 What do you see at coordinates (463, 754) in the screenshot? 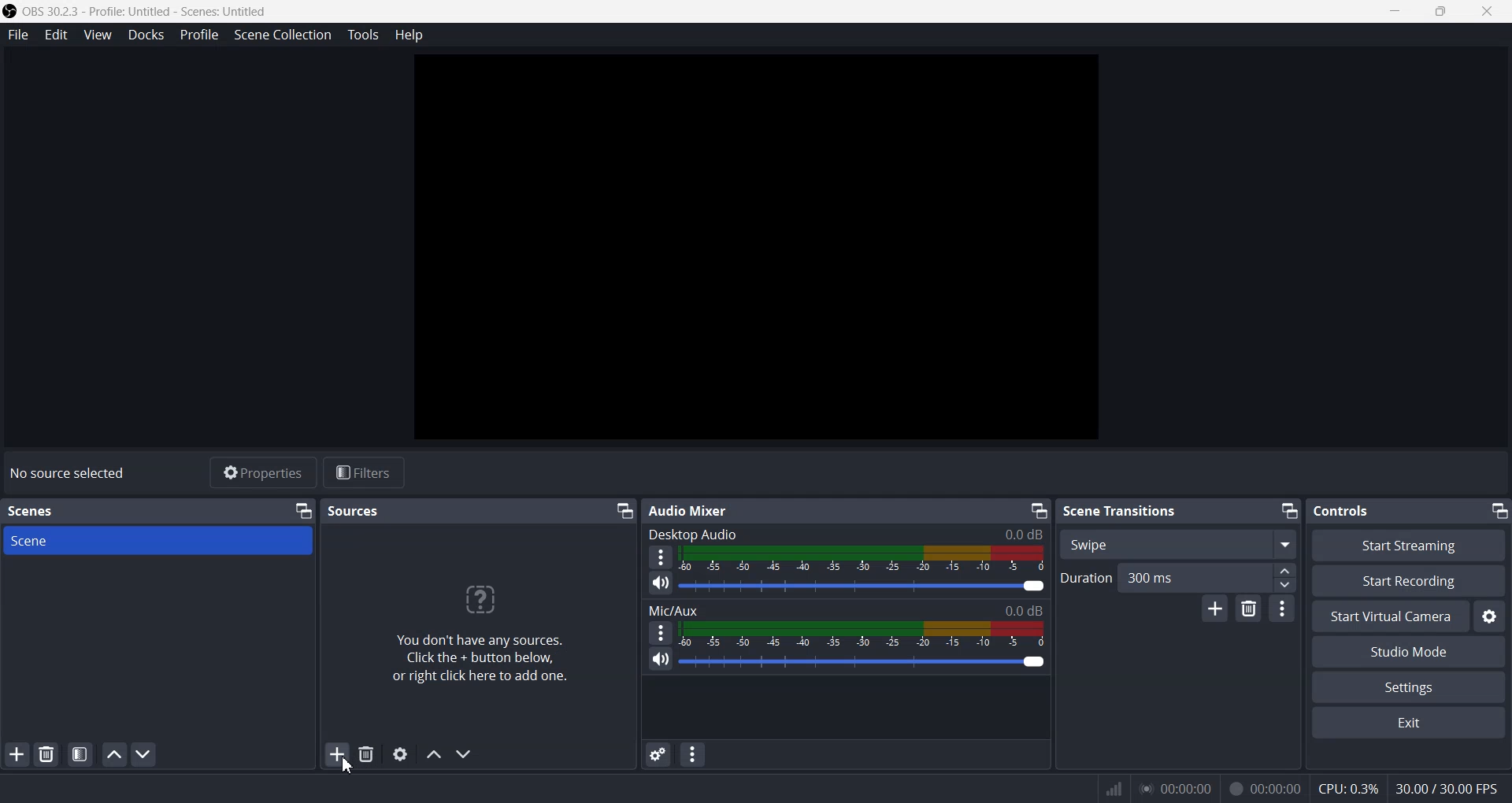
I see `Move source down` at bounding box center [463, 754].